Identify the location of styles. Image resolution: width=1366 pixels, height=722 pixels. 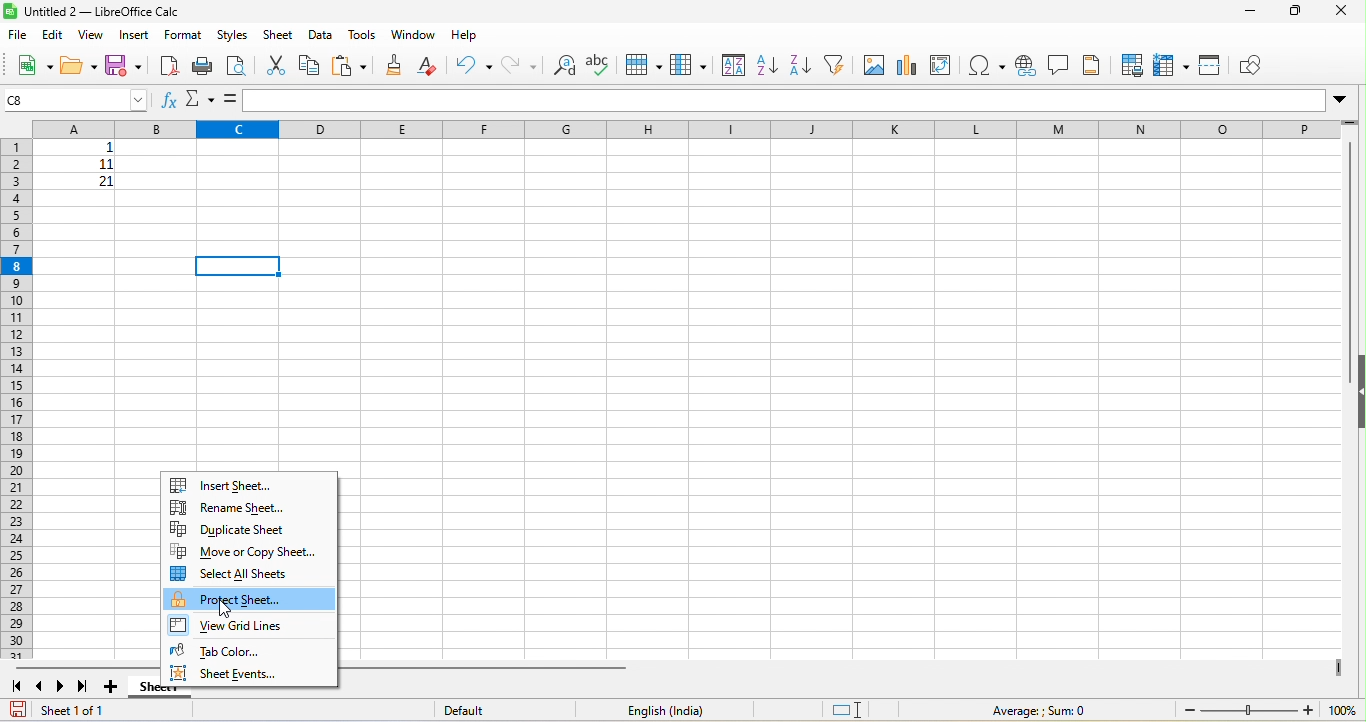
(233, 35).